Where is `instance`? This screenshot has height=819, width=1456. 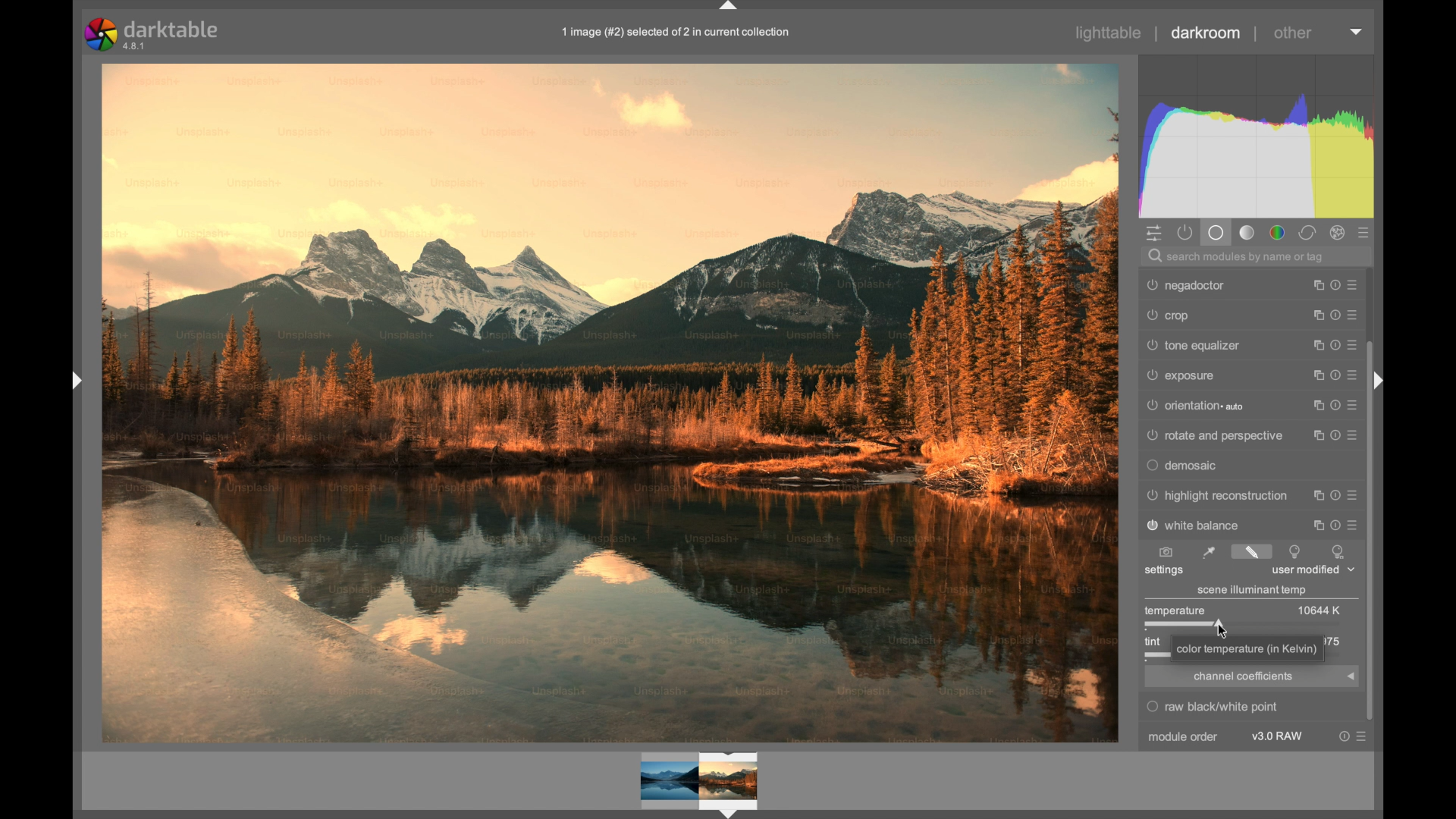
instance is located at coordinates (1315, 463).